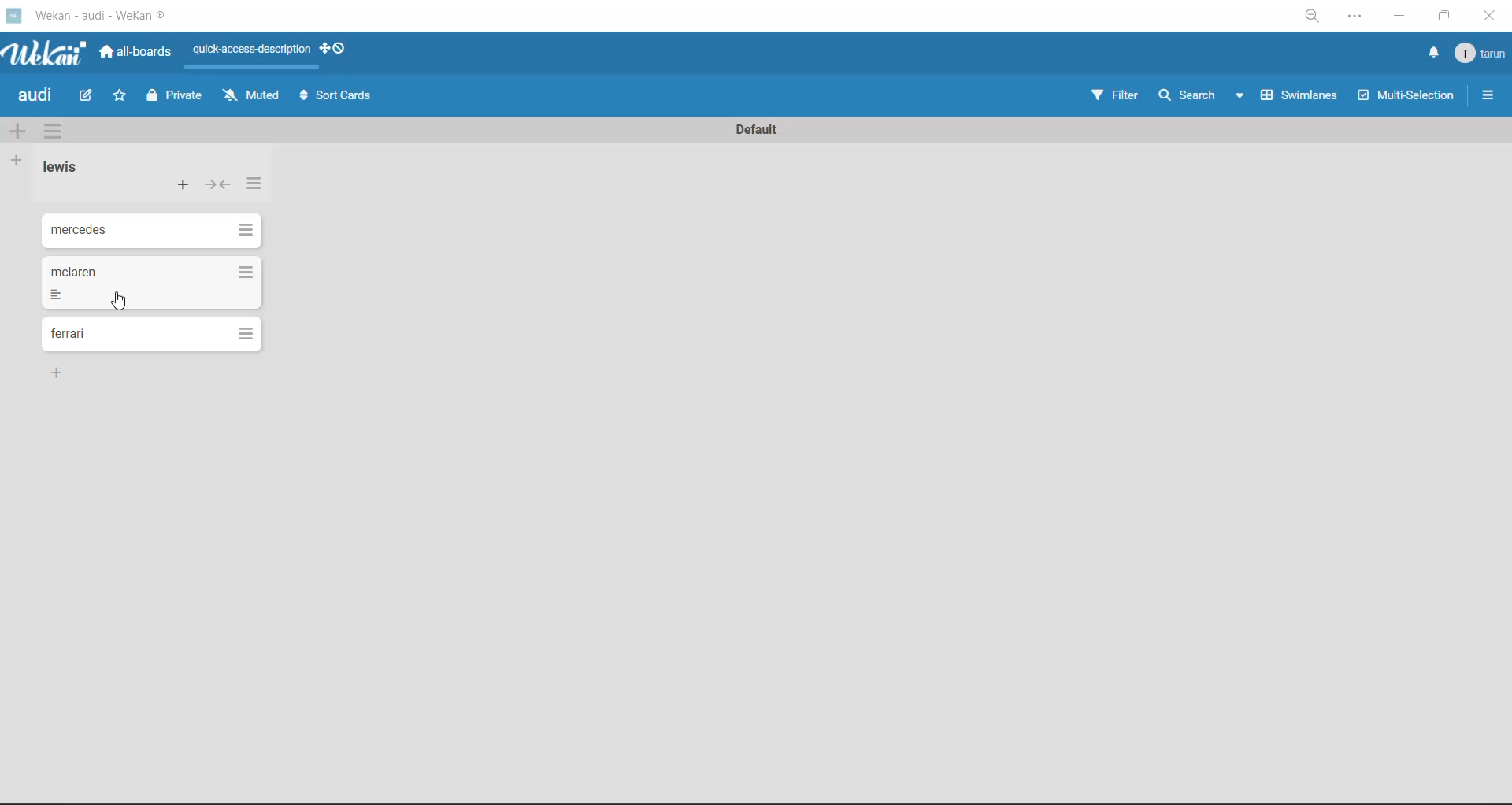 The width and height of the screenshot is (1512, 805). I want to click on app title, so click(91, 15).